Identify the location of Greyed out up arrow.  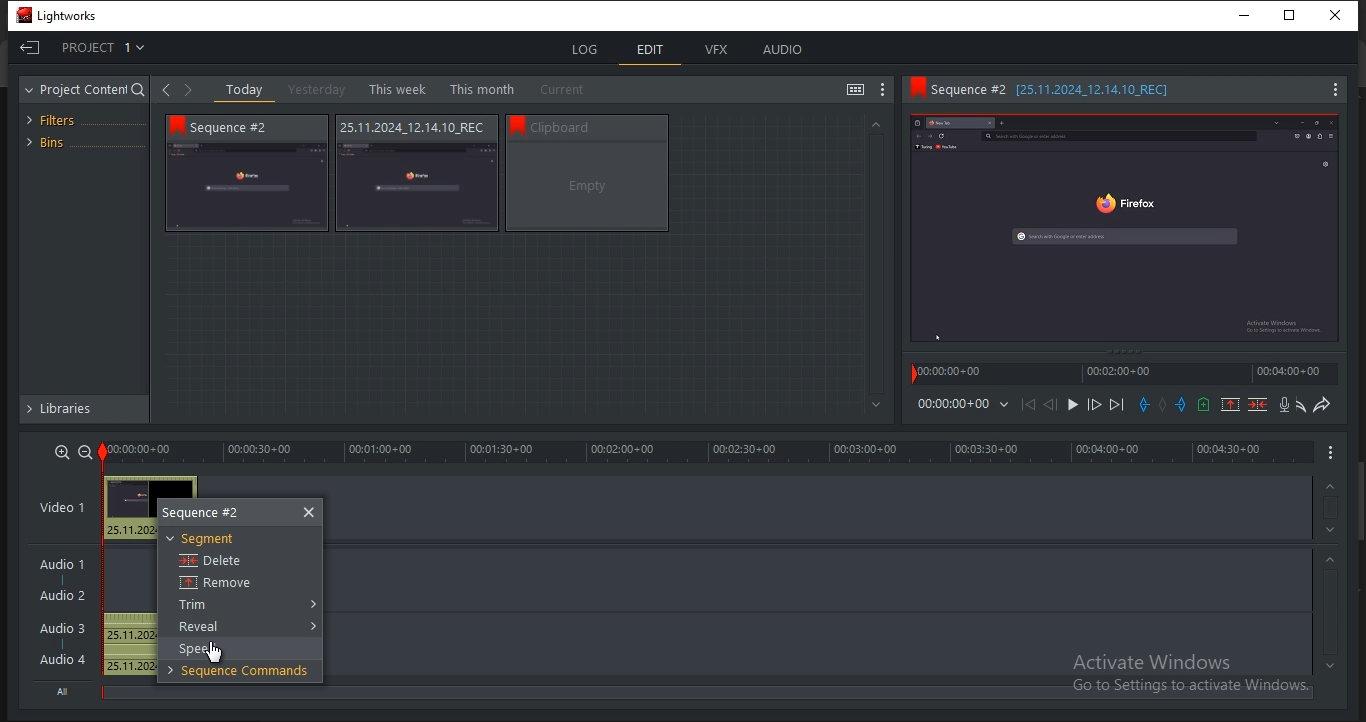
(883, 125).